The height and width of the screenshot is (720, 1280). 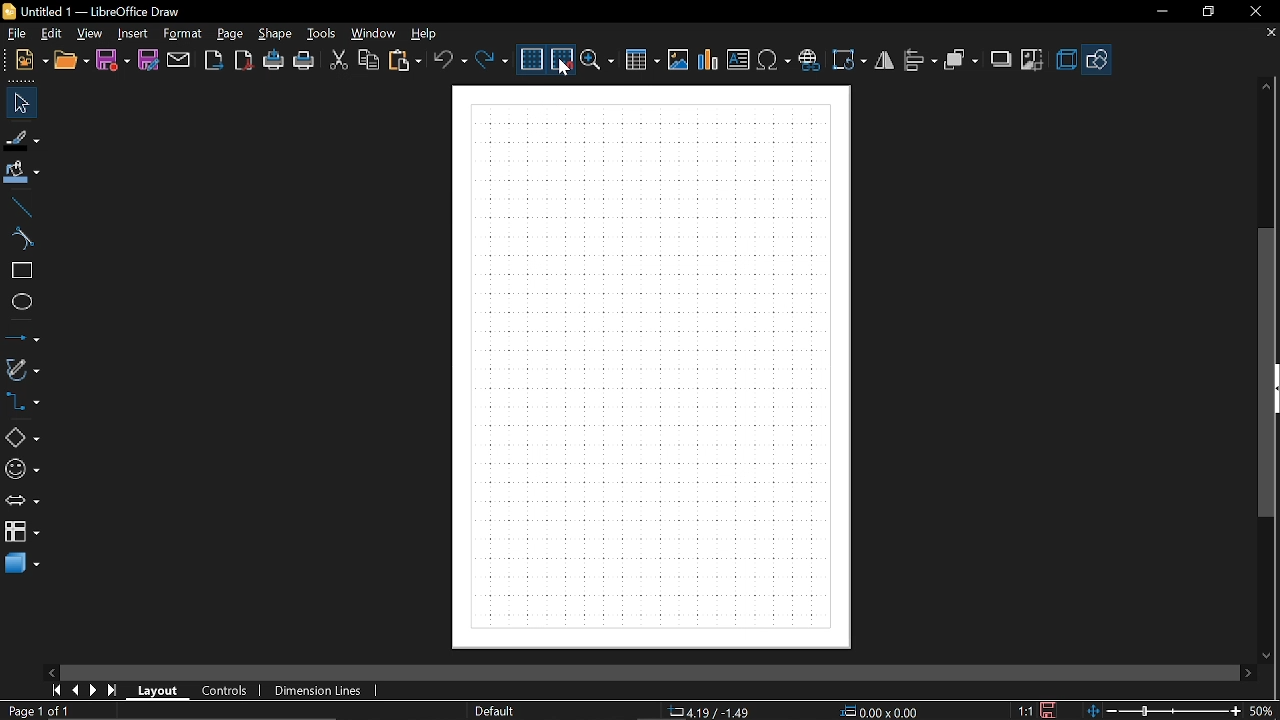 What do you see at coordinates (22, 564) in the screenshot?
I see `3d shapes` at bounding box center [22, 564].